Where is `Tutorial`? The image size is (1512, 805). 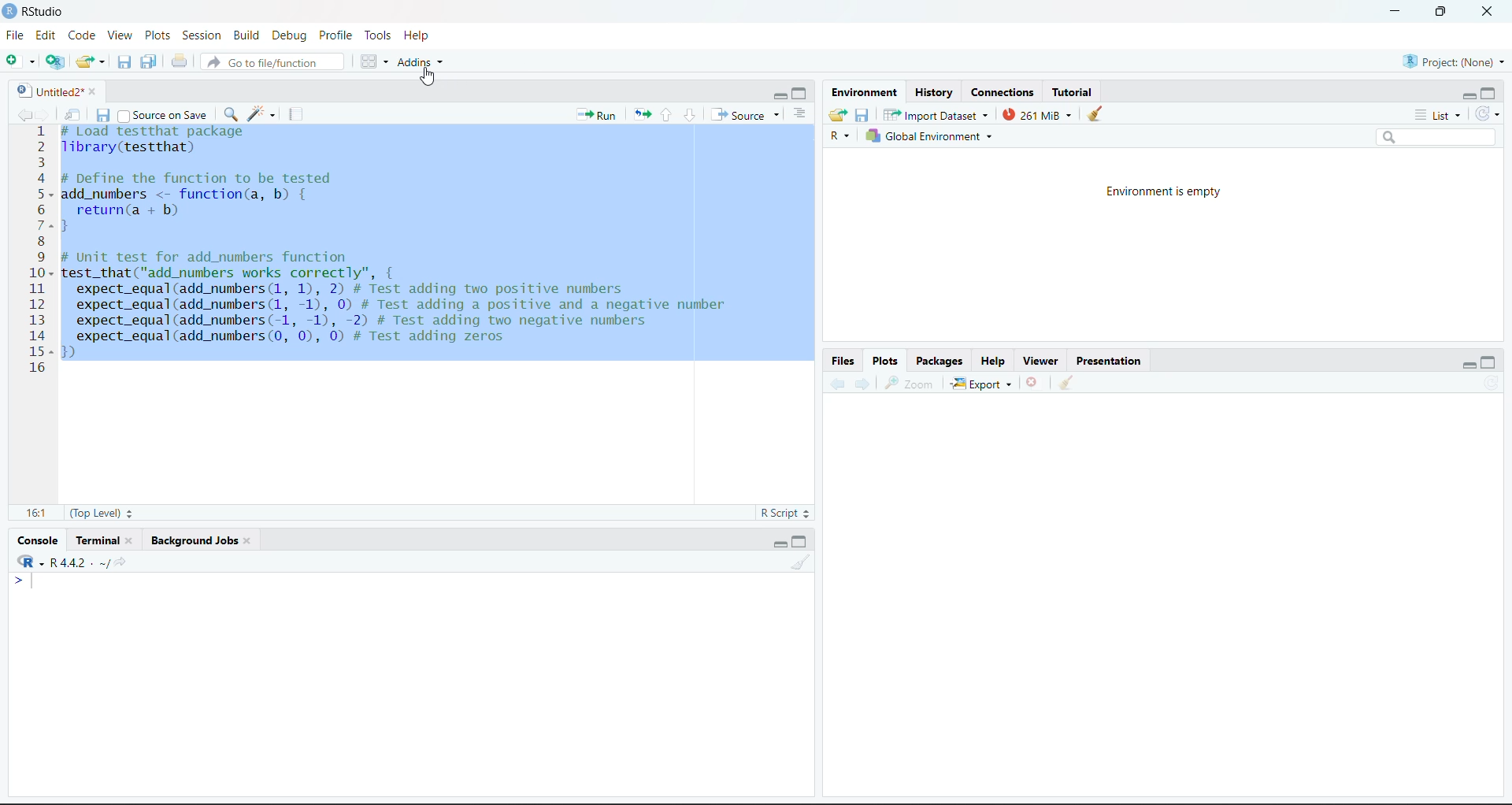 Tutorial is located at coordinates (1075, 91).